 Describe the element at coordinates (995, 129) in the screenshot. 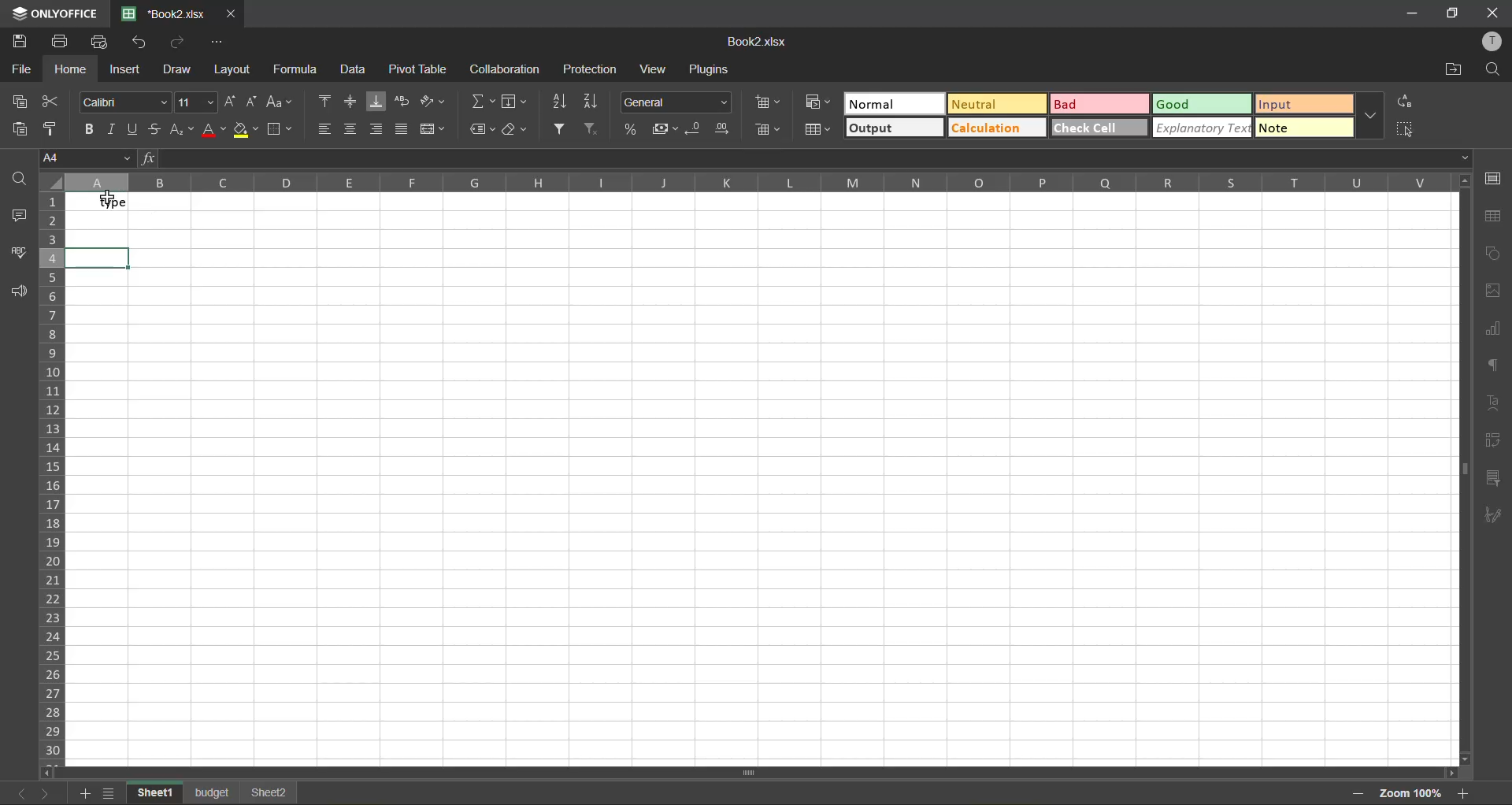

I see `calculation` at that location.